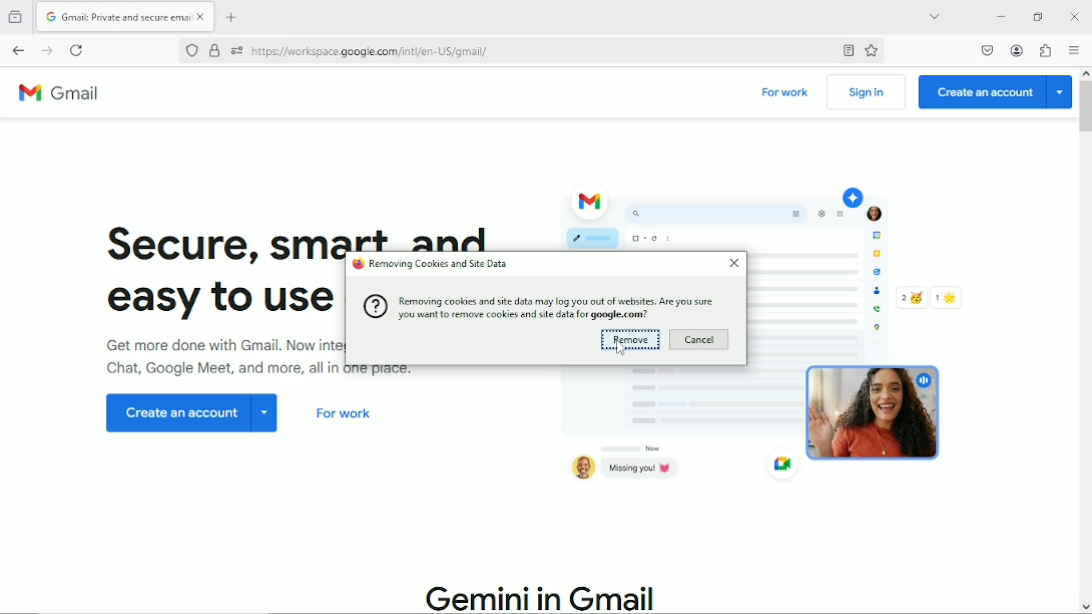 This screenshot has height=614, width=1092. What do you see at coordinates (18, 15) in the screenshot?
I see `View recent browsing` at bounding box center [18, 15].